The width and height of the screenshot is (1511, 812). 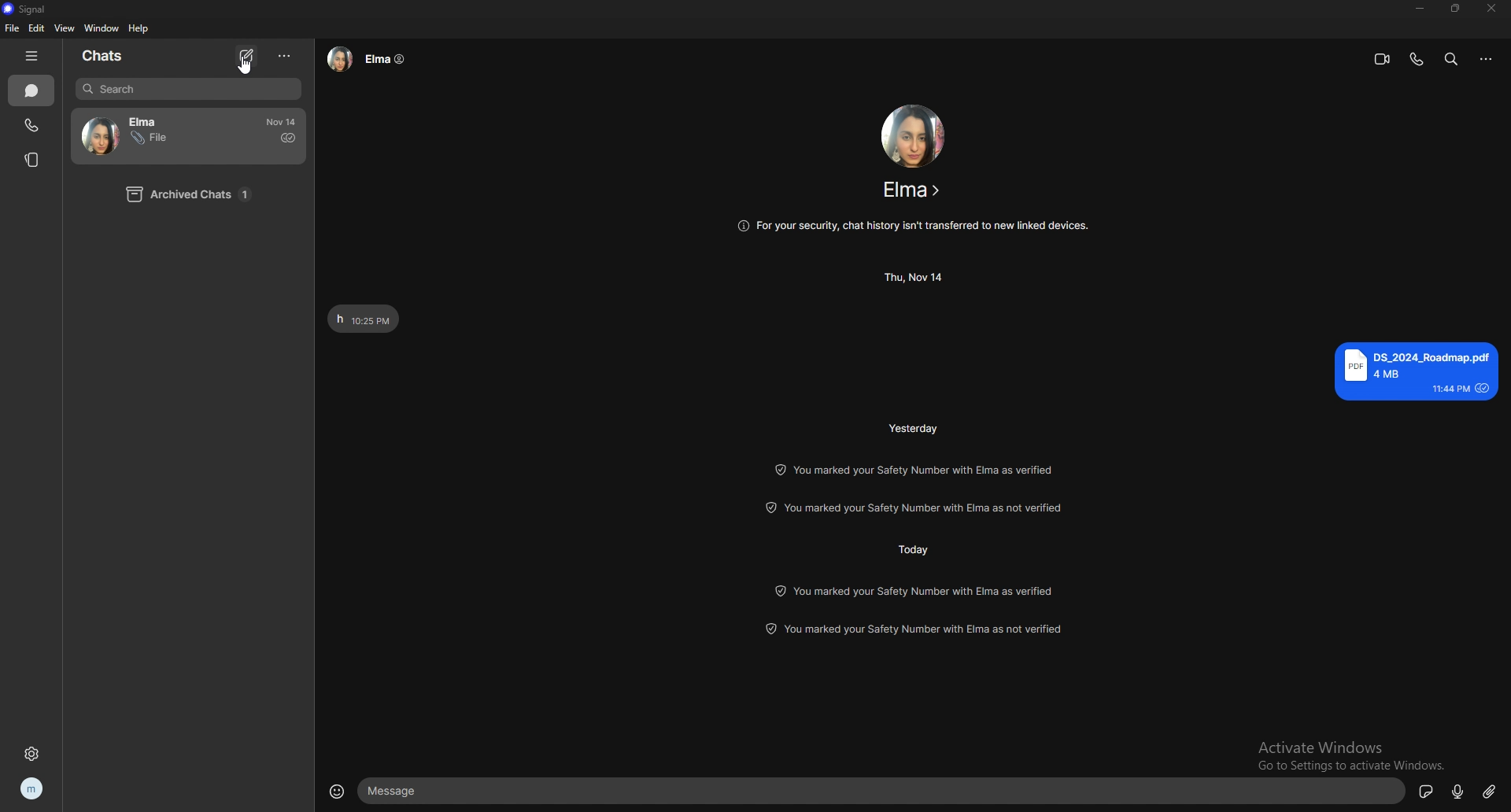 I want to click on emojis, so click(x=337, y=789).